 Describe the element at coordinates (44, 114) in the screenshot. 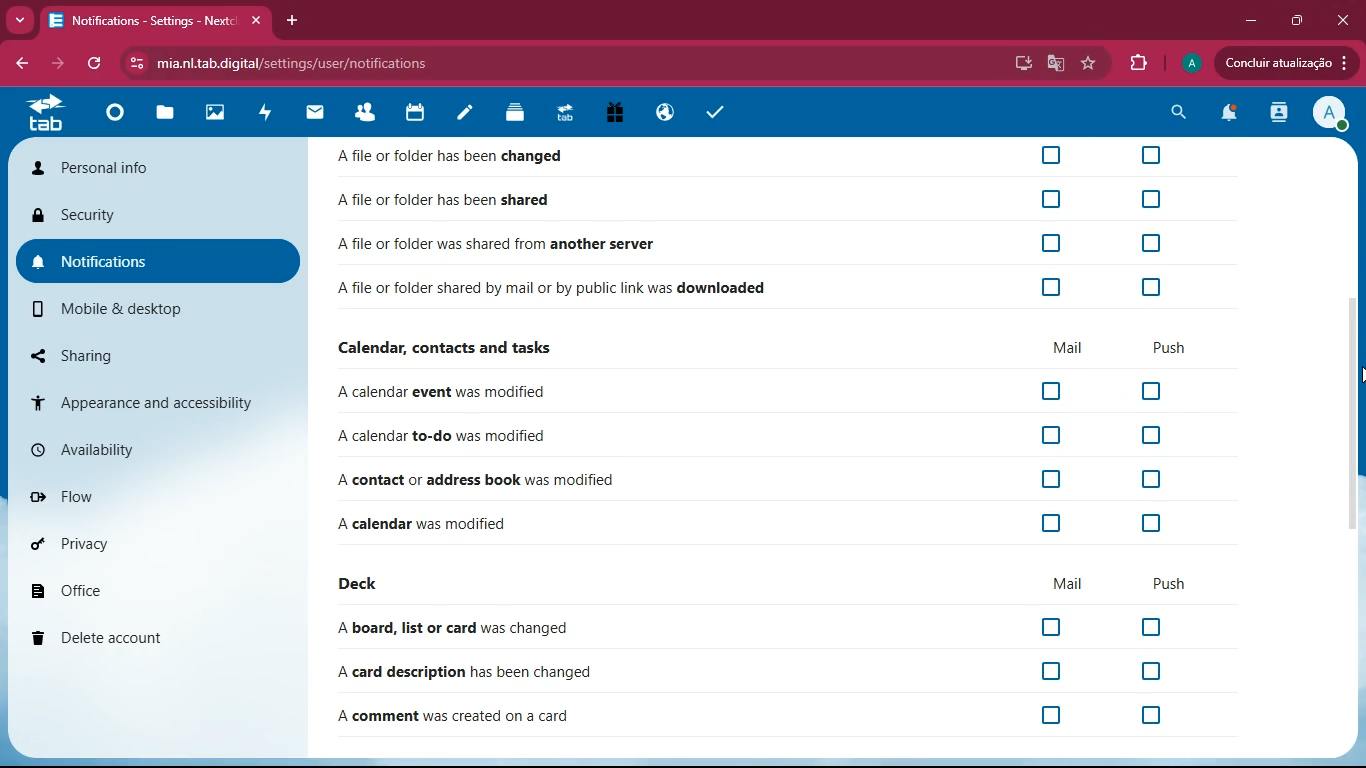

I see `tab` at that location.